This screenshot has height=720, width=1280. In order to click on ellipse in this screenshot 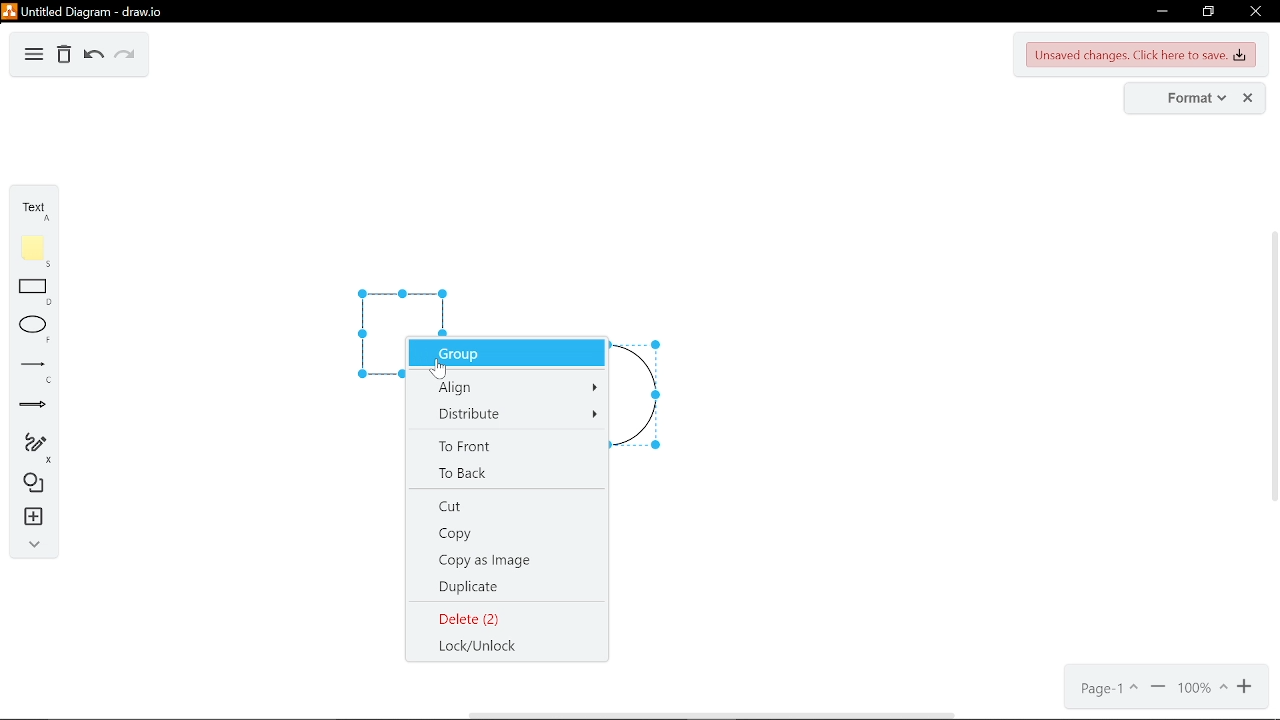, I will do `click(30, 332)`.